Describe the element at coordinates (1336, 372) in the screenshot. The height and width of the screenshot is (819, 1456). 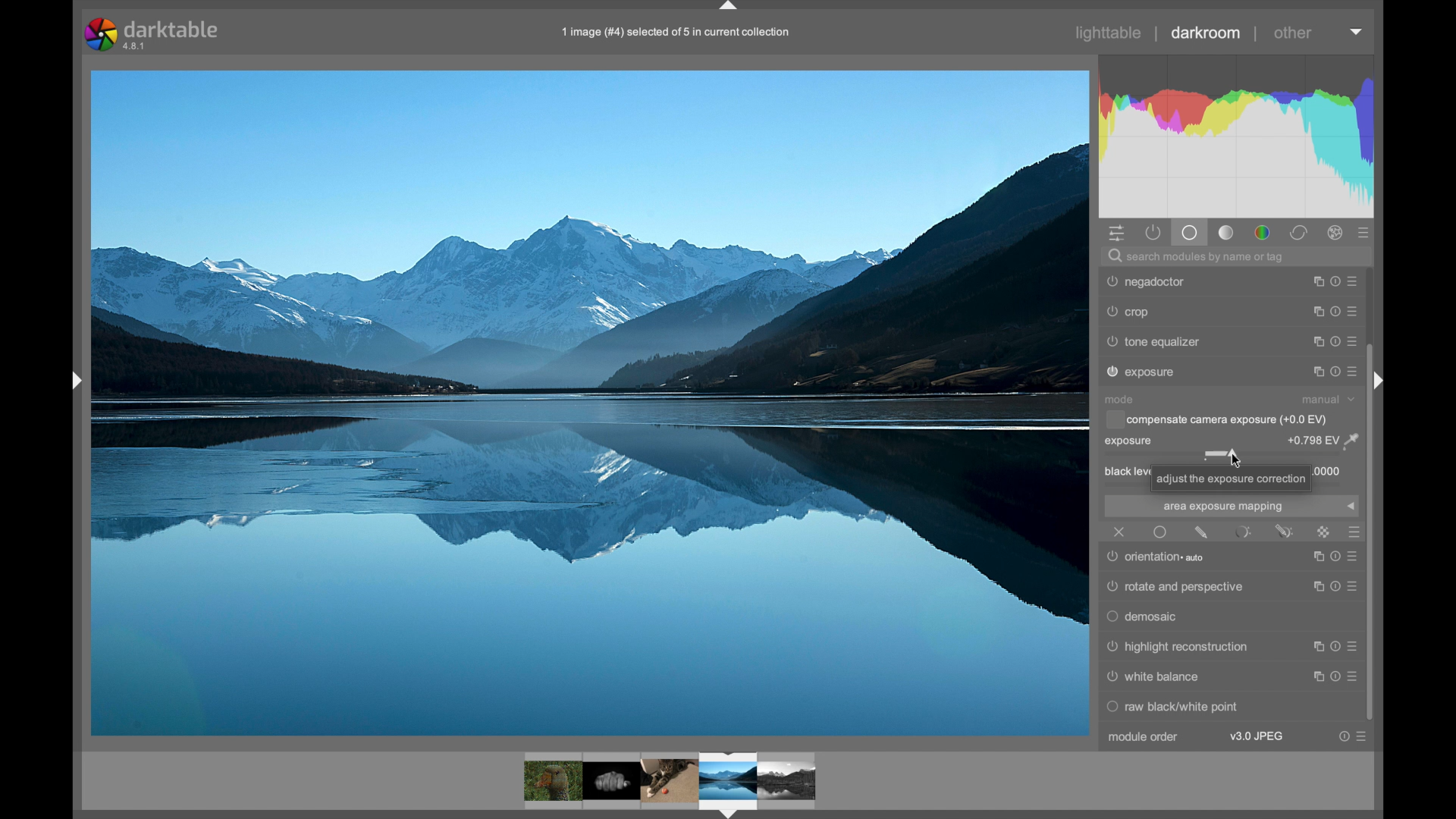
I see `more options` at that location.